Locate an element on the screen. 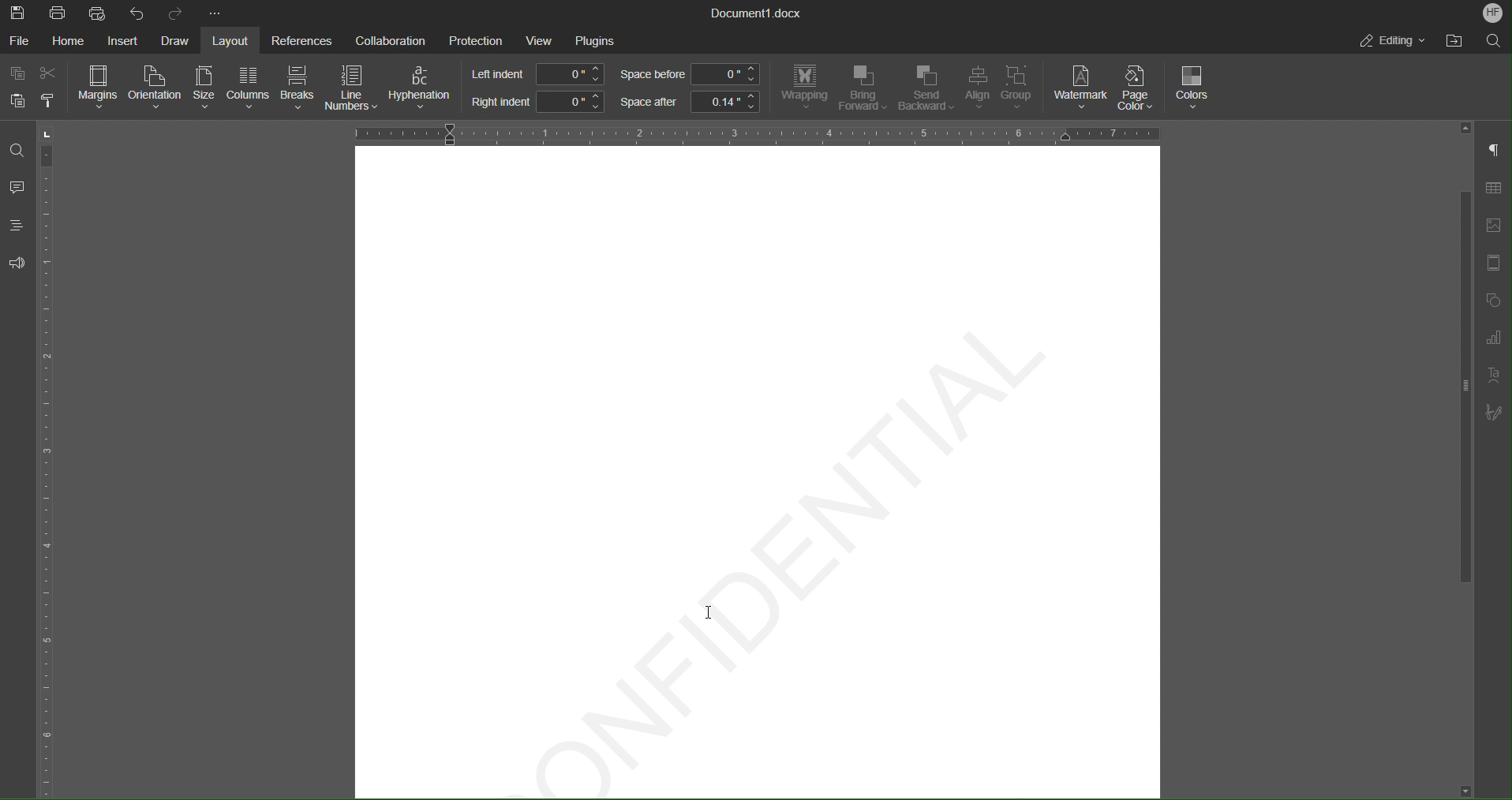 The height and width of the screenshot is (800, 1512). Vertical Ruler is located at coordinates (50, 459).